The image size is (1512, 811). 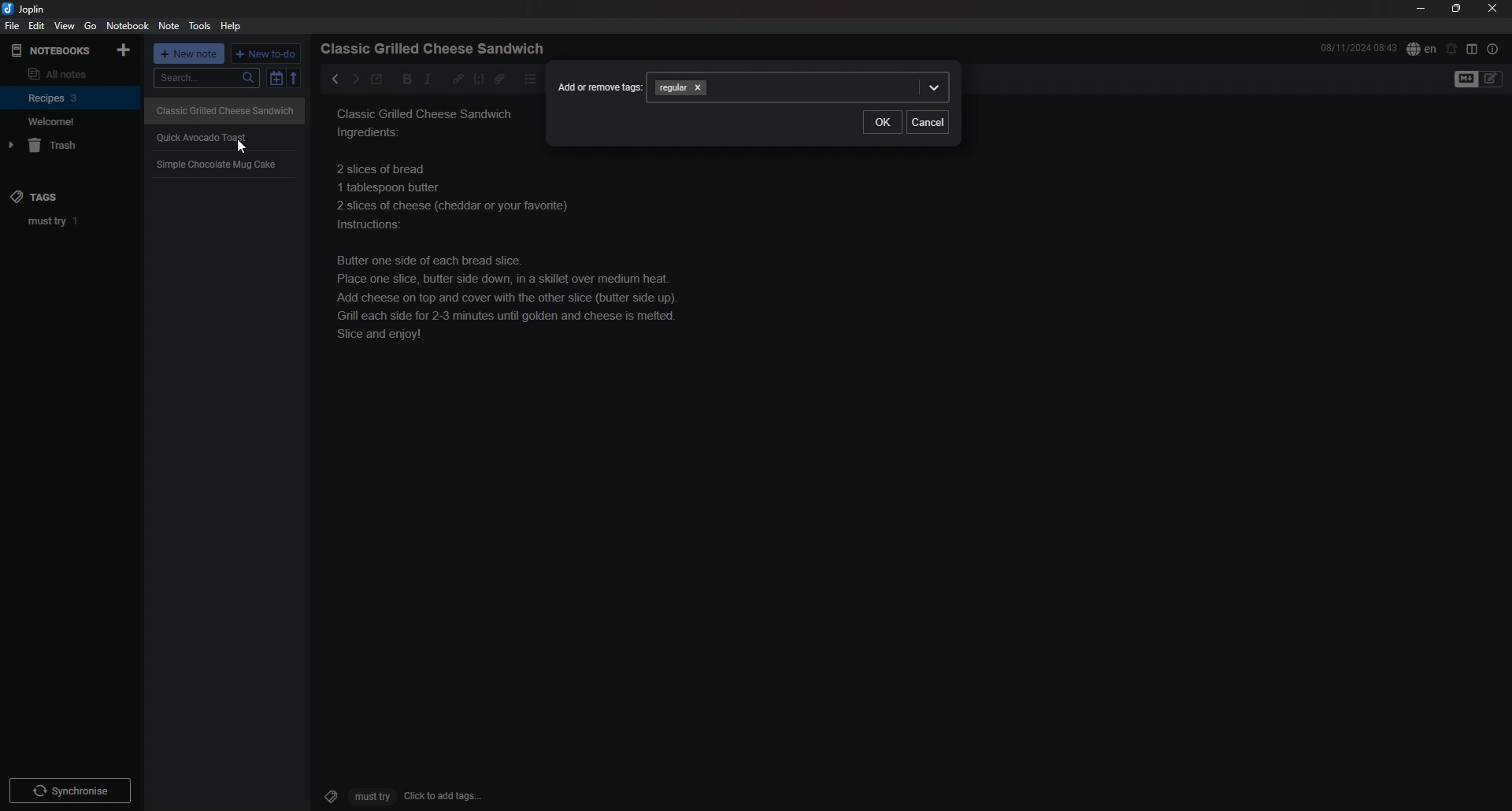 What do you see at coordinates (354, 79) in the screenshot?
I see `next` at bounding box center [354, 79].